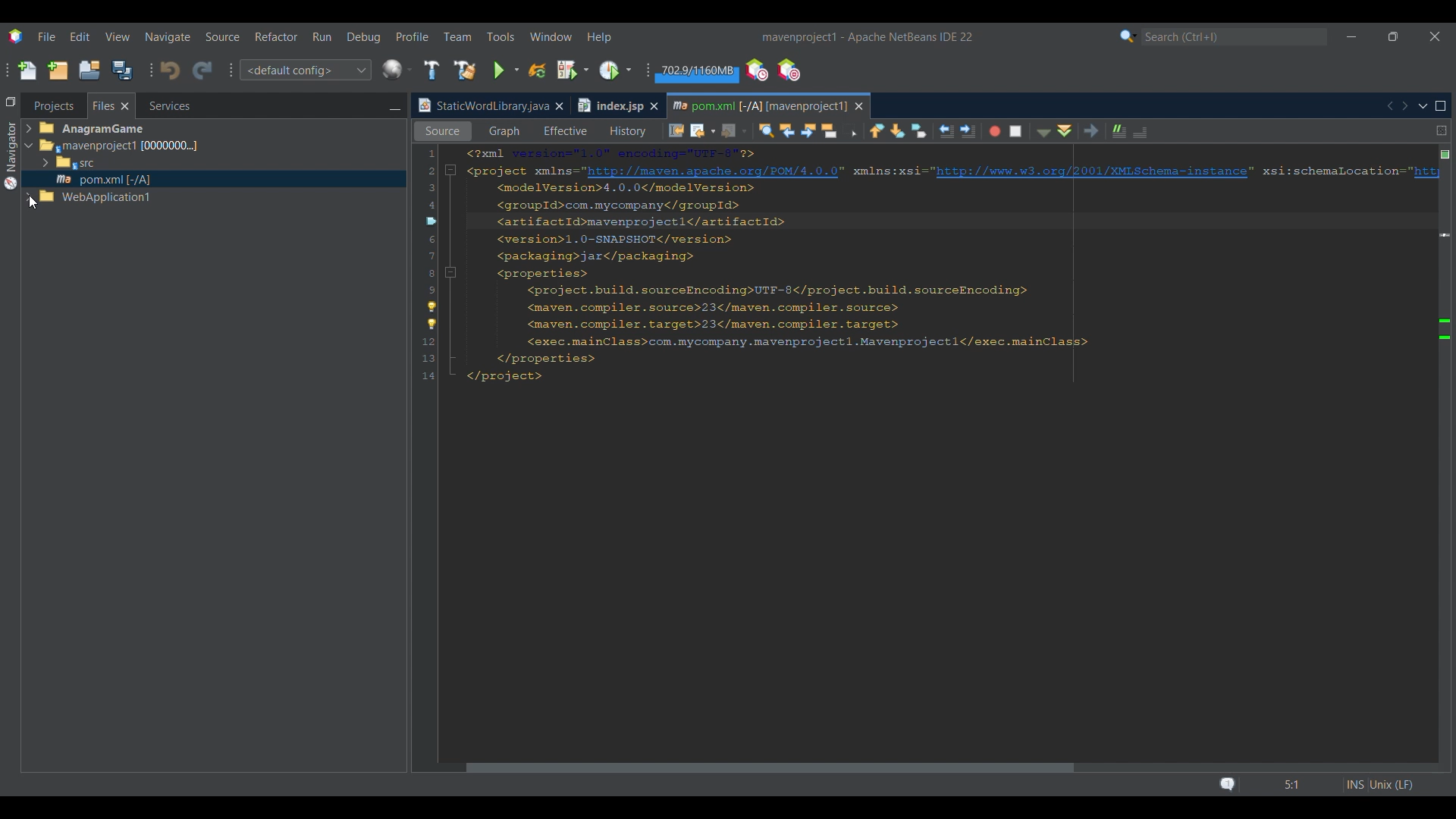 This screenshot has height=819, width=1456. Describe the element at coordinates (58, 70) in the screenshot. I see `New project` at that location.